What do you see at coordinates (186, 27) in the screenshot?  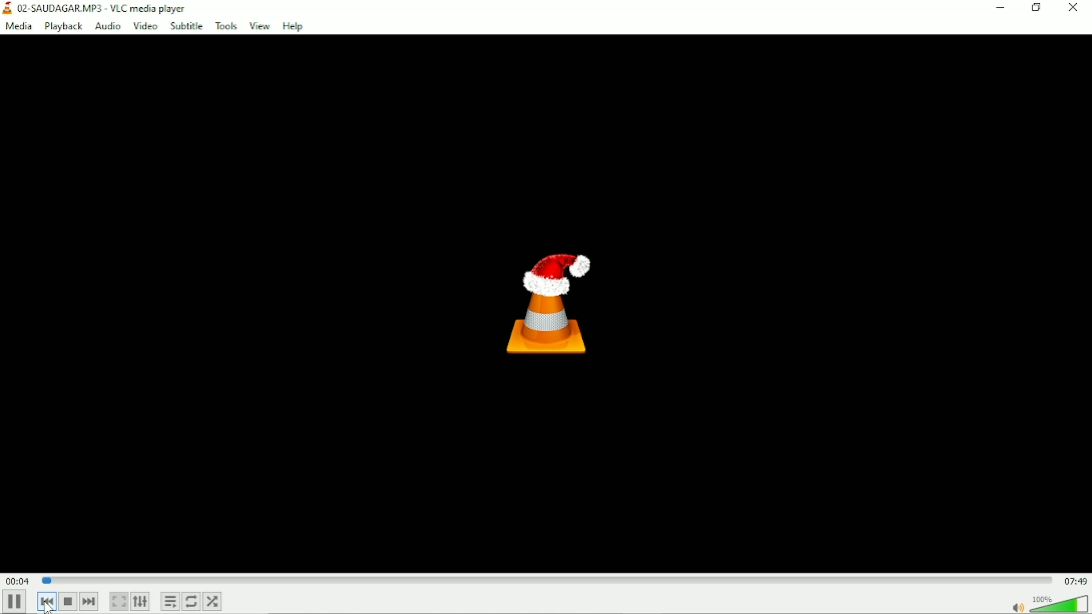 I see `Subtitle` at bounding box center [186, 27].